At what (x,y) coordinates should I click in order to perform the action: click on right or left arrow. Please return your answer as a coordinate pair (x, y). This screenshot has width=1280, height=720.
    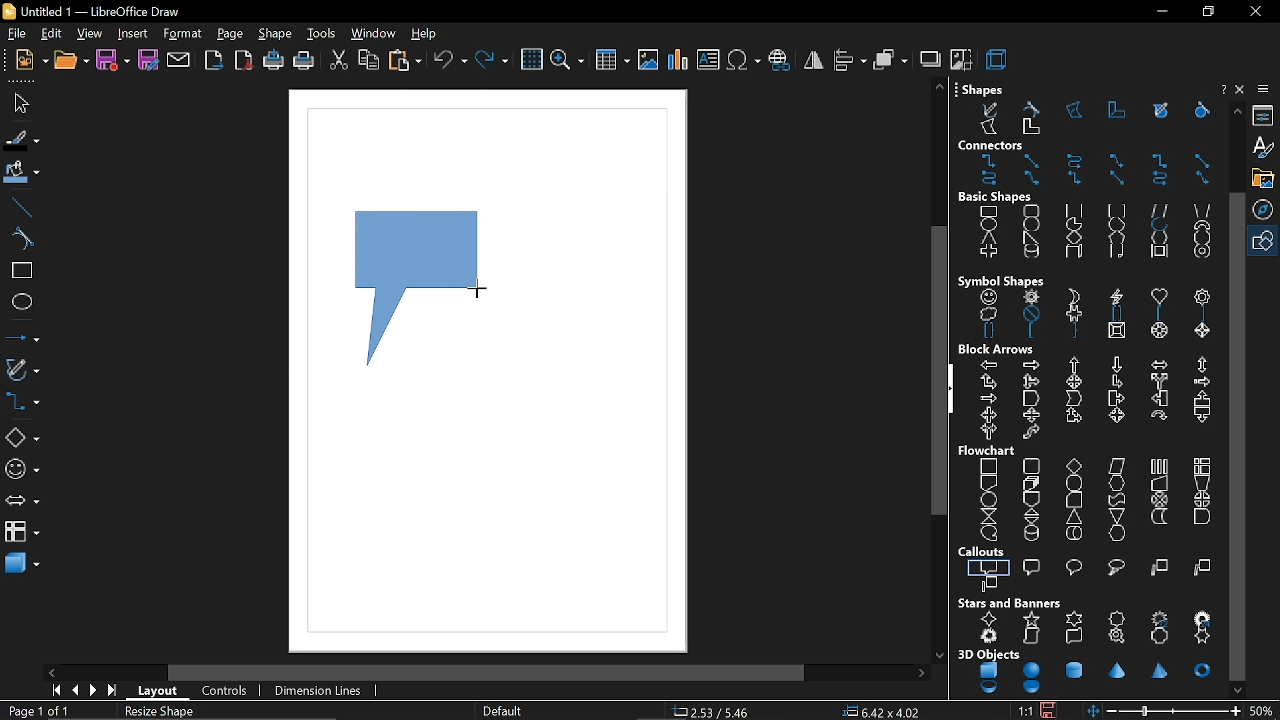
    Looking at the image, I should click on (986, 432).